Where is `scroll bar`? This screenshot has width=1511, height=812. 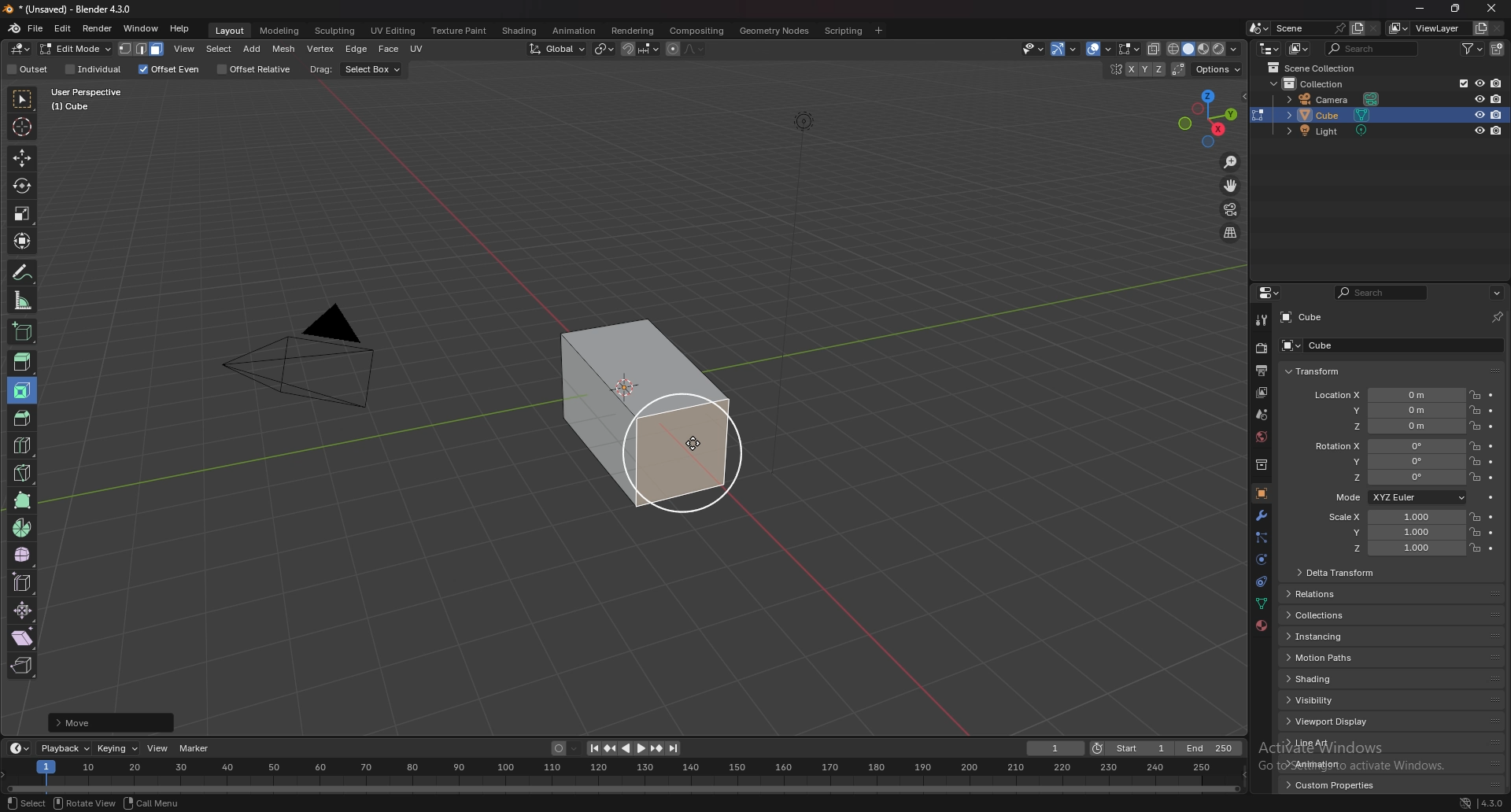 scroll bar is located at coordinates (1508, 555).